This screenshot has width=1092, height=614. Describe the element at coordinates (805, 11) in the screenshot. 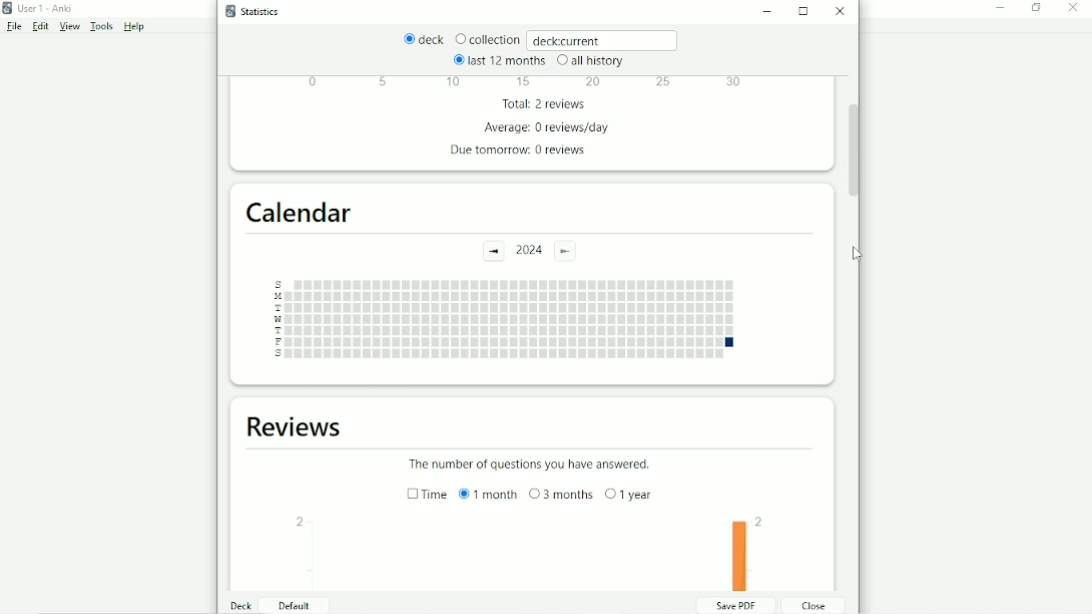

I see `Maximize` at that location.